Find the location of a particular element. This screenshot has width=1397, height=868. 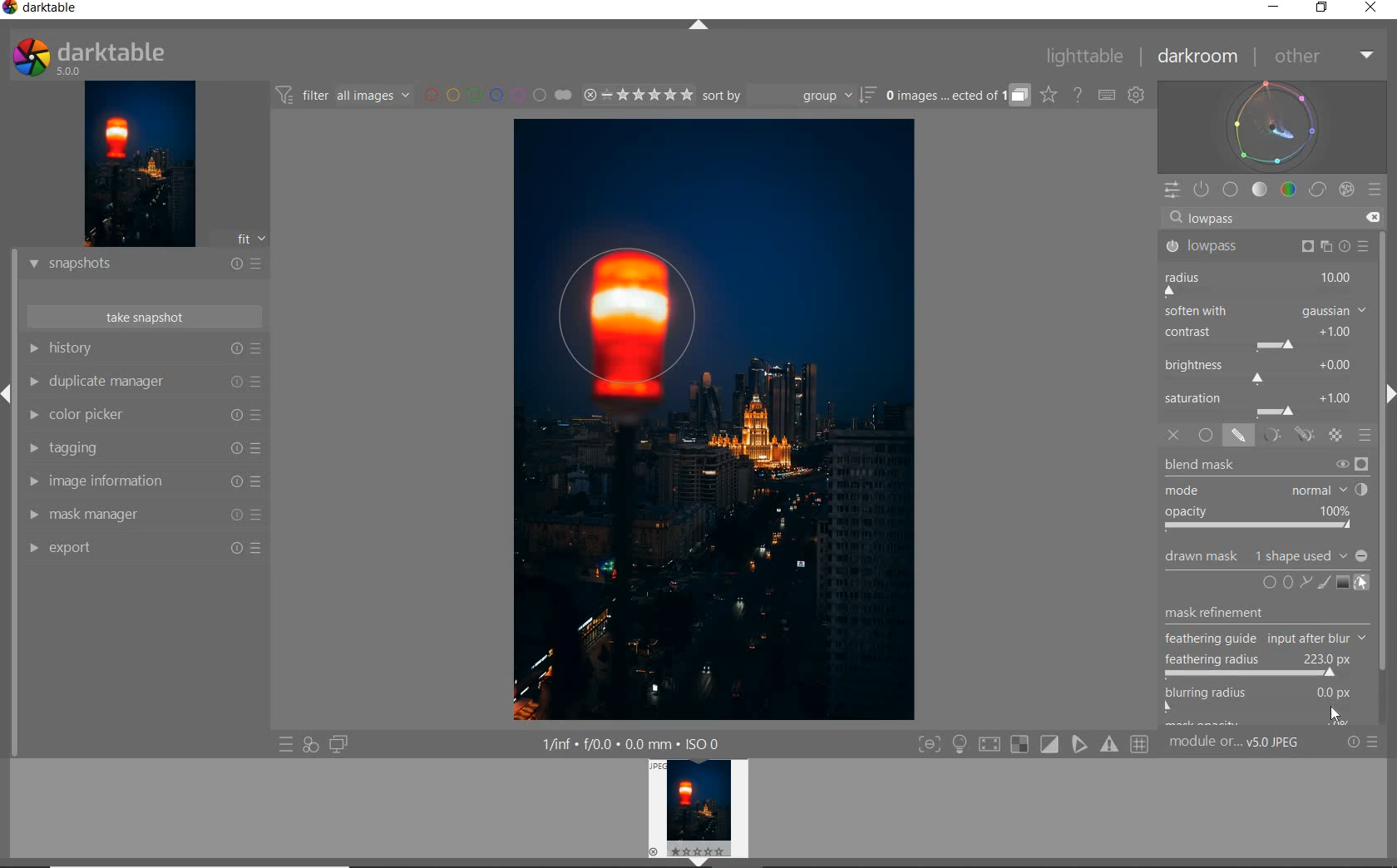

DISPLAYED GUI INFO is located at coordinates (632, 742).